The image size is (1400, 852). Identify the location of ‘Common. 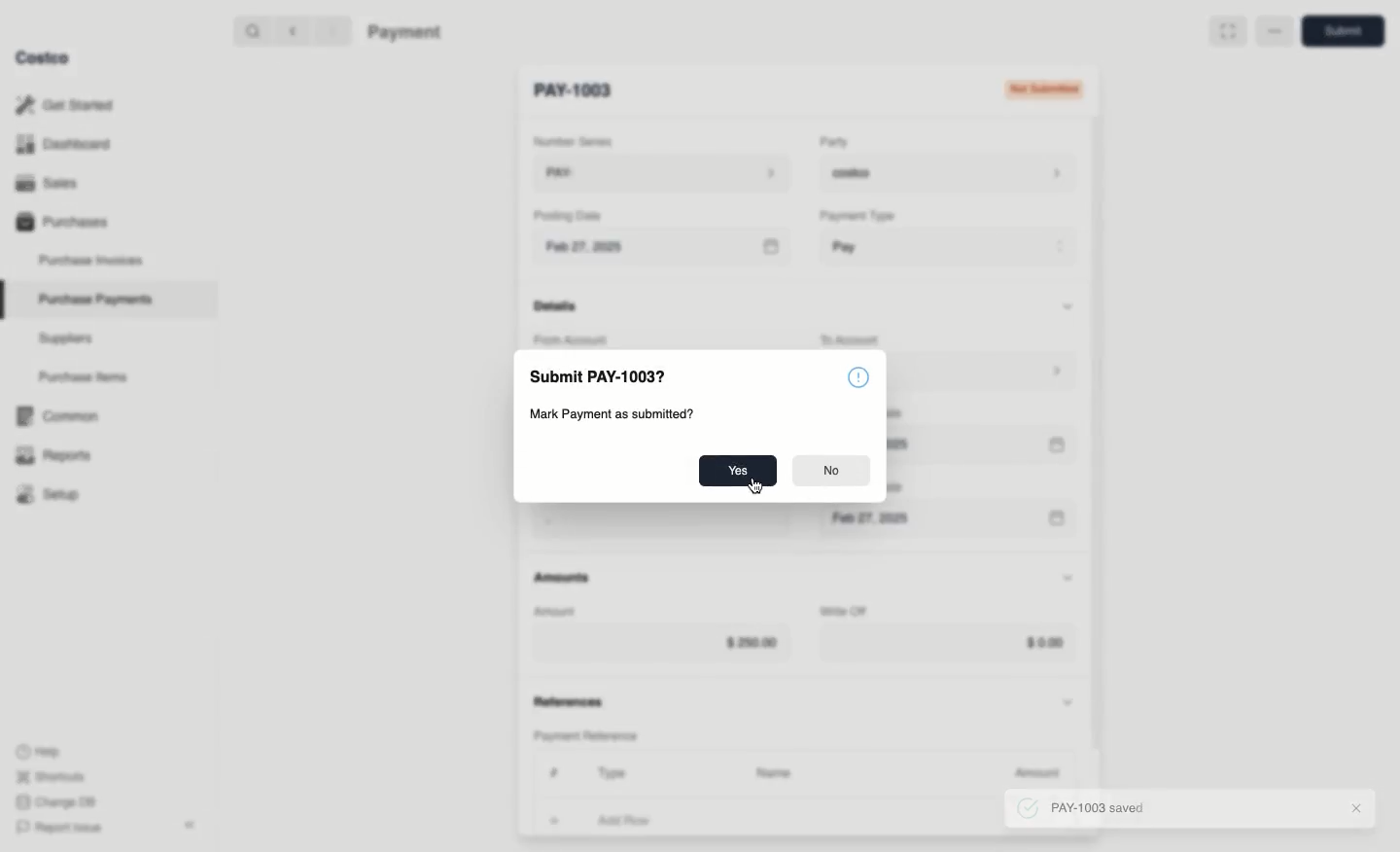
(61, 413).